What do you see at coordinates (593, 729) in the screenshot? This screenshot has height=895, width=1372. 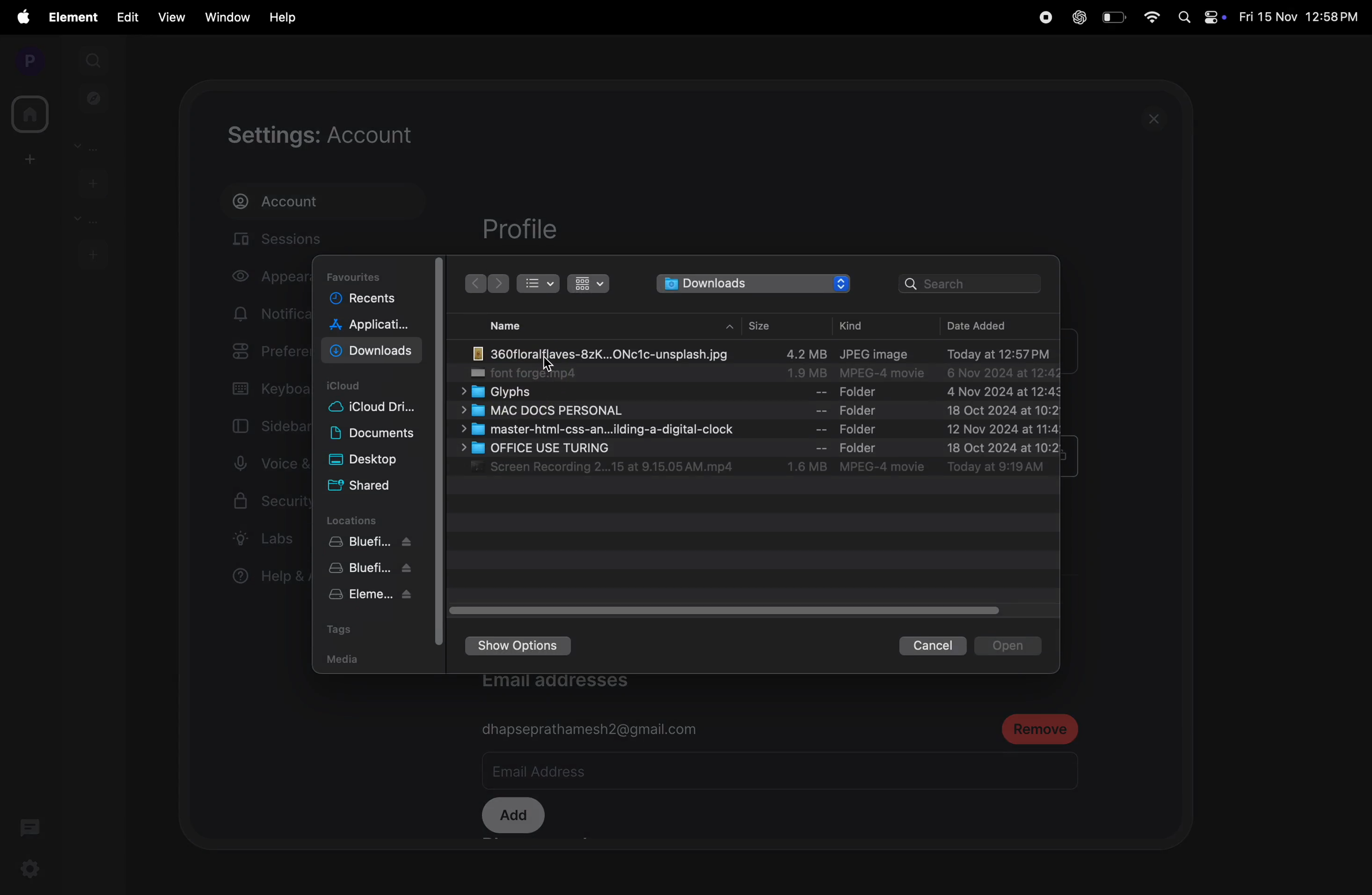 I see `gmail id` at bounding box center [593, 729].